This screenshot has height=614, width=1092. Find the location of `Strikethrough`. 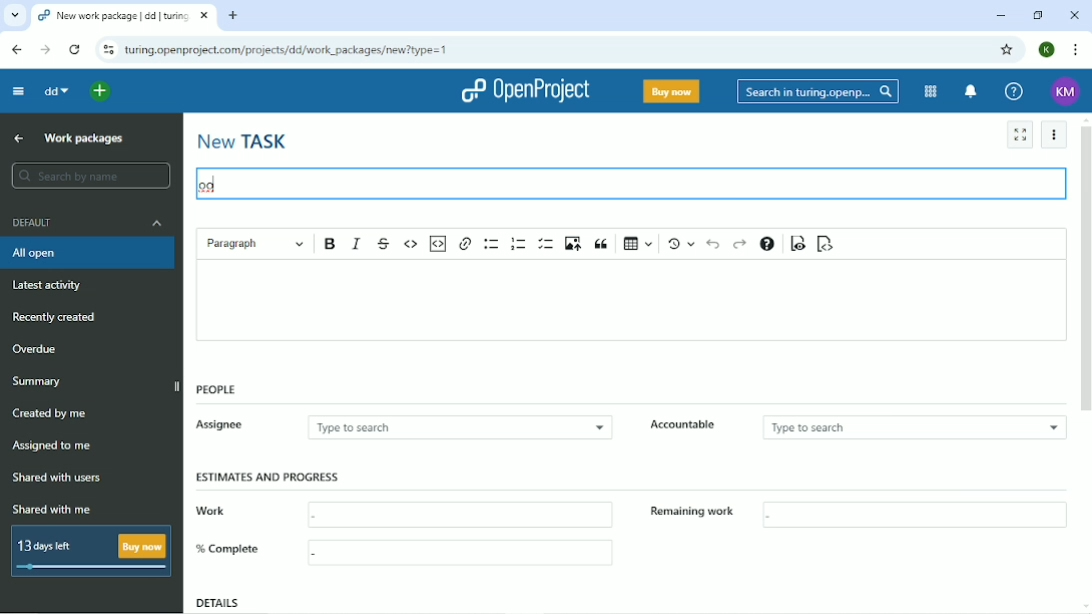

Strikethrough is located at coordinates (384, 243).